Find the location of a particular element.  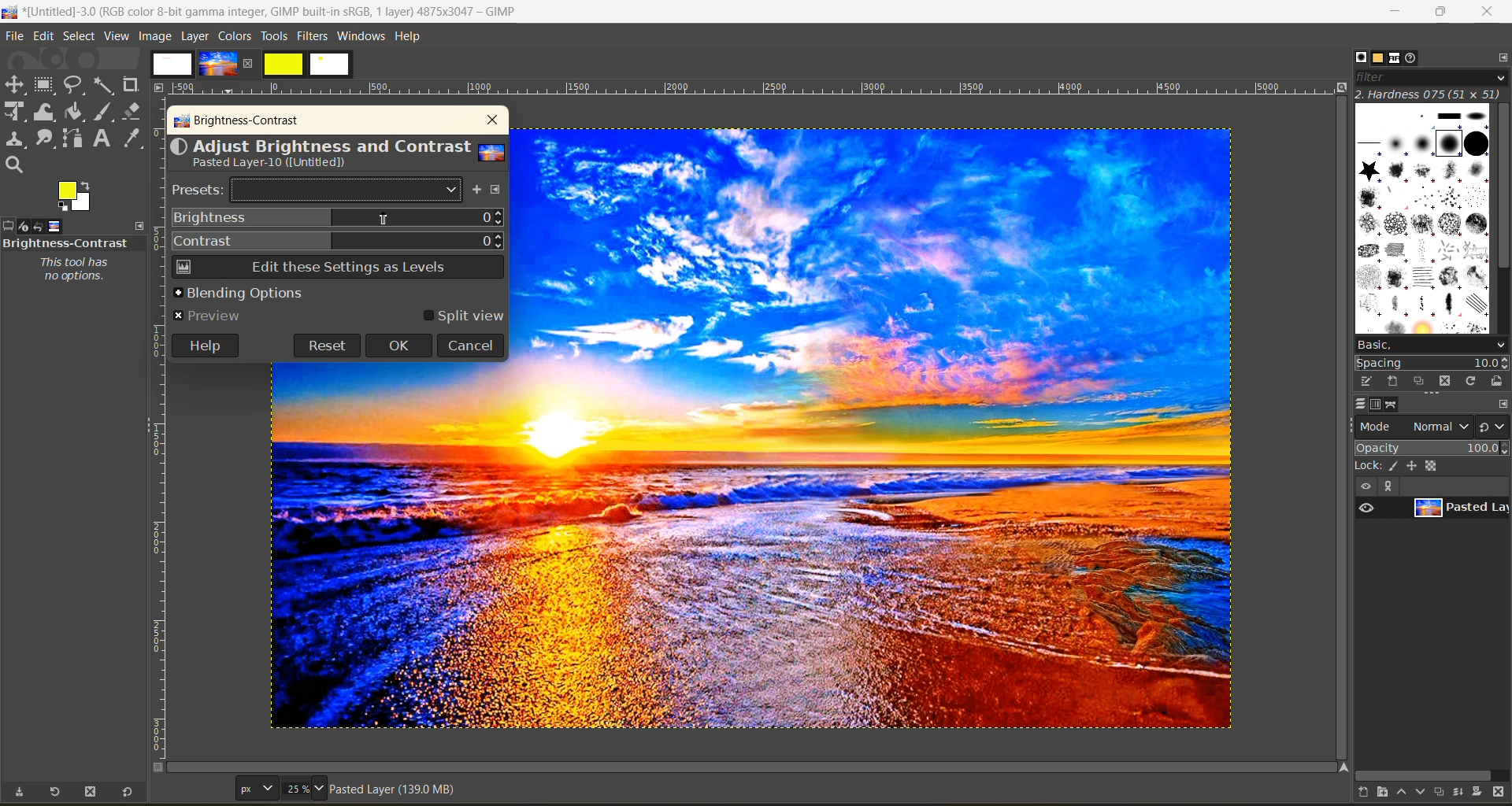

windows is located at coordinates (362, 37).